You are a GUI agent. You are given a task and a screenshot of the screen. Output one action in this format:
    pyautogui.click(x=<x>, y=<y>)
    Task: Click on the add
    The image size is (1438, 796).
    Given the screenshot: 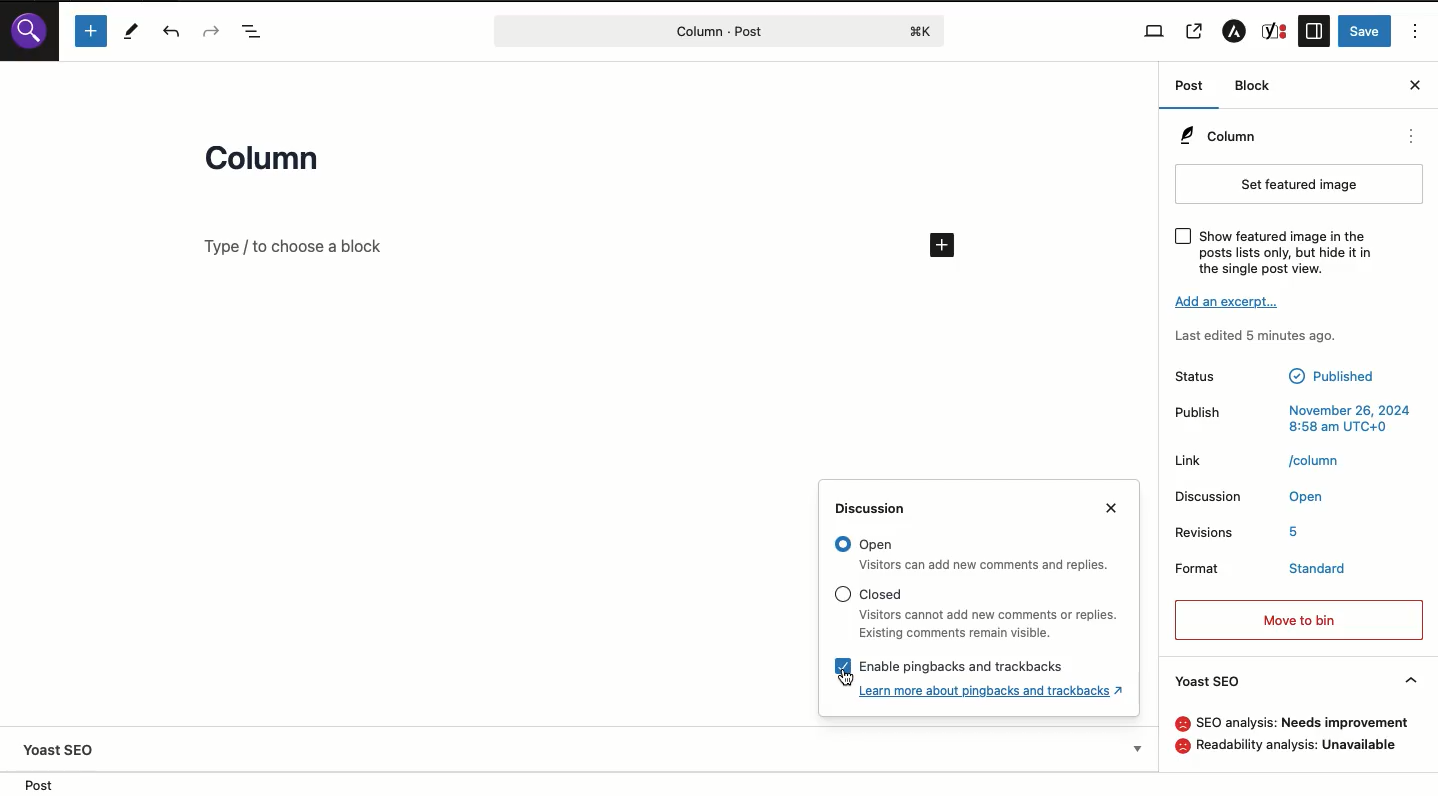 What is the action you would take?
    pyautogui.click(x=944, y=245)
    